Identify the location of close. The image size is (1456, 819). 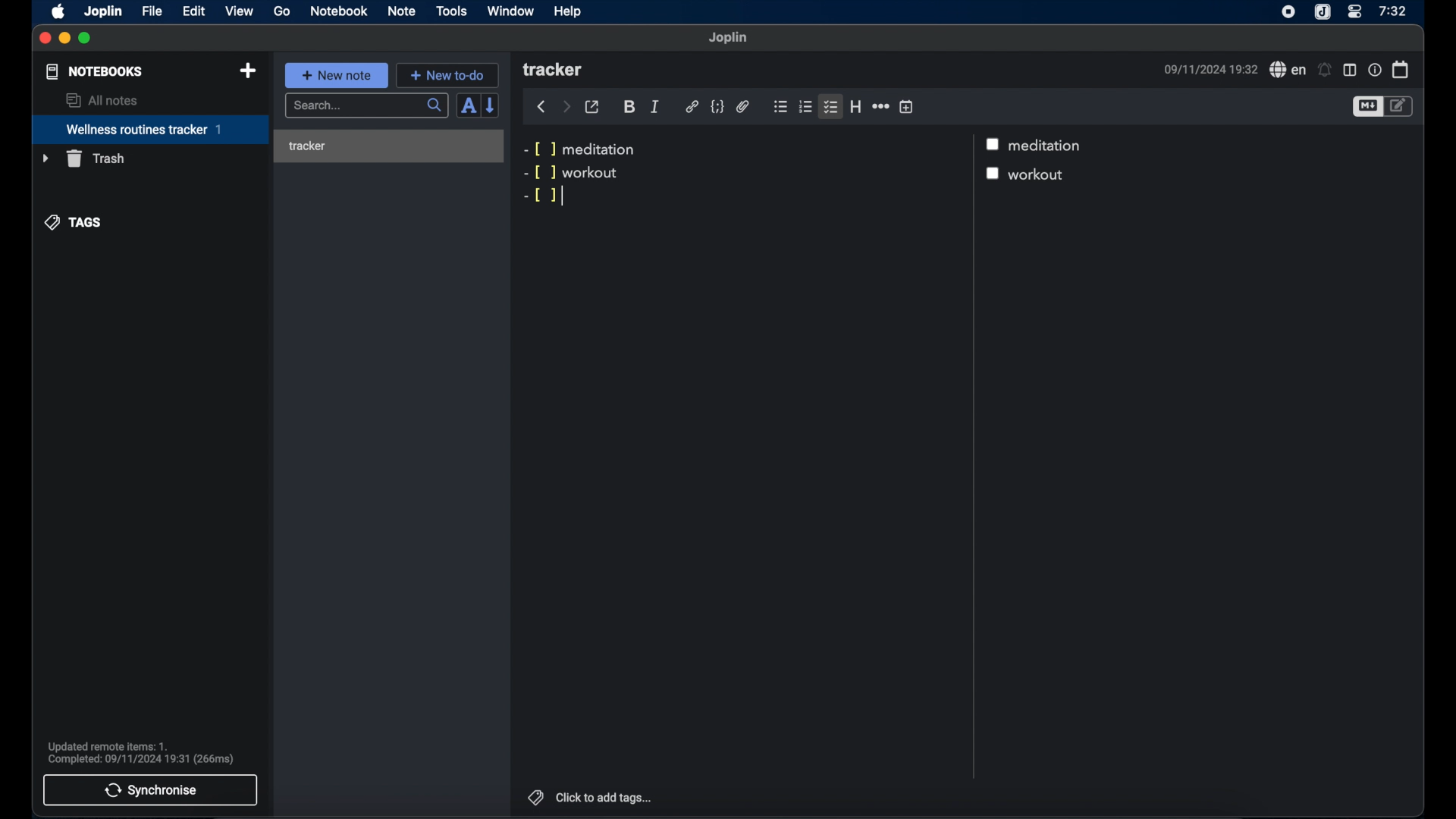
(45, 39).